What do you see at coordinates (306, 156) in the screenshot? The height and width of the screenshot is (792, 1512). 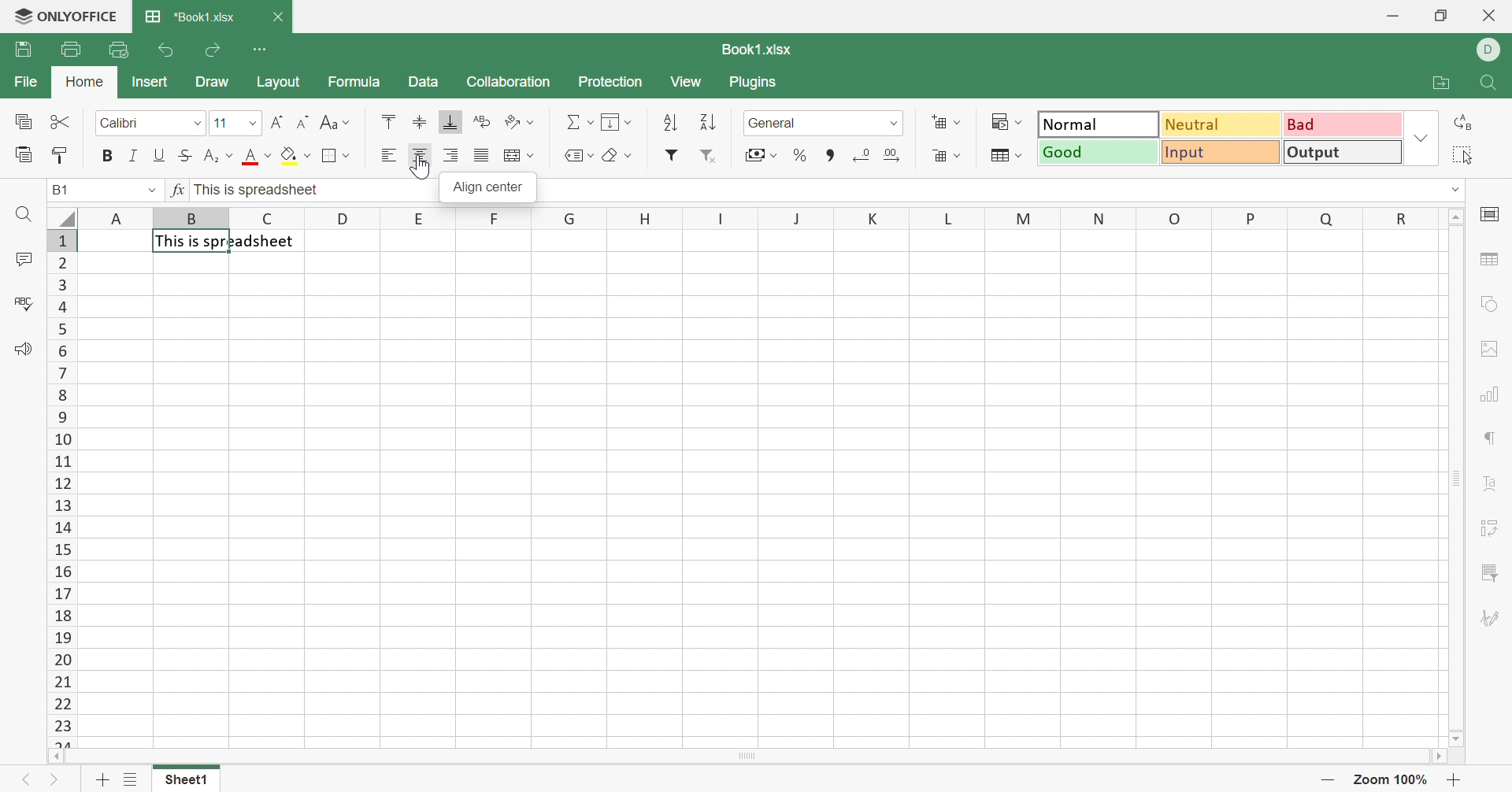 I see `Drop Down` at bounding box center [306, 156].